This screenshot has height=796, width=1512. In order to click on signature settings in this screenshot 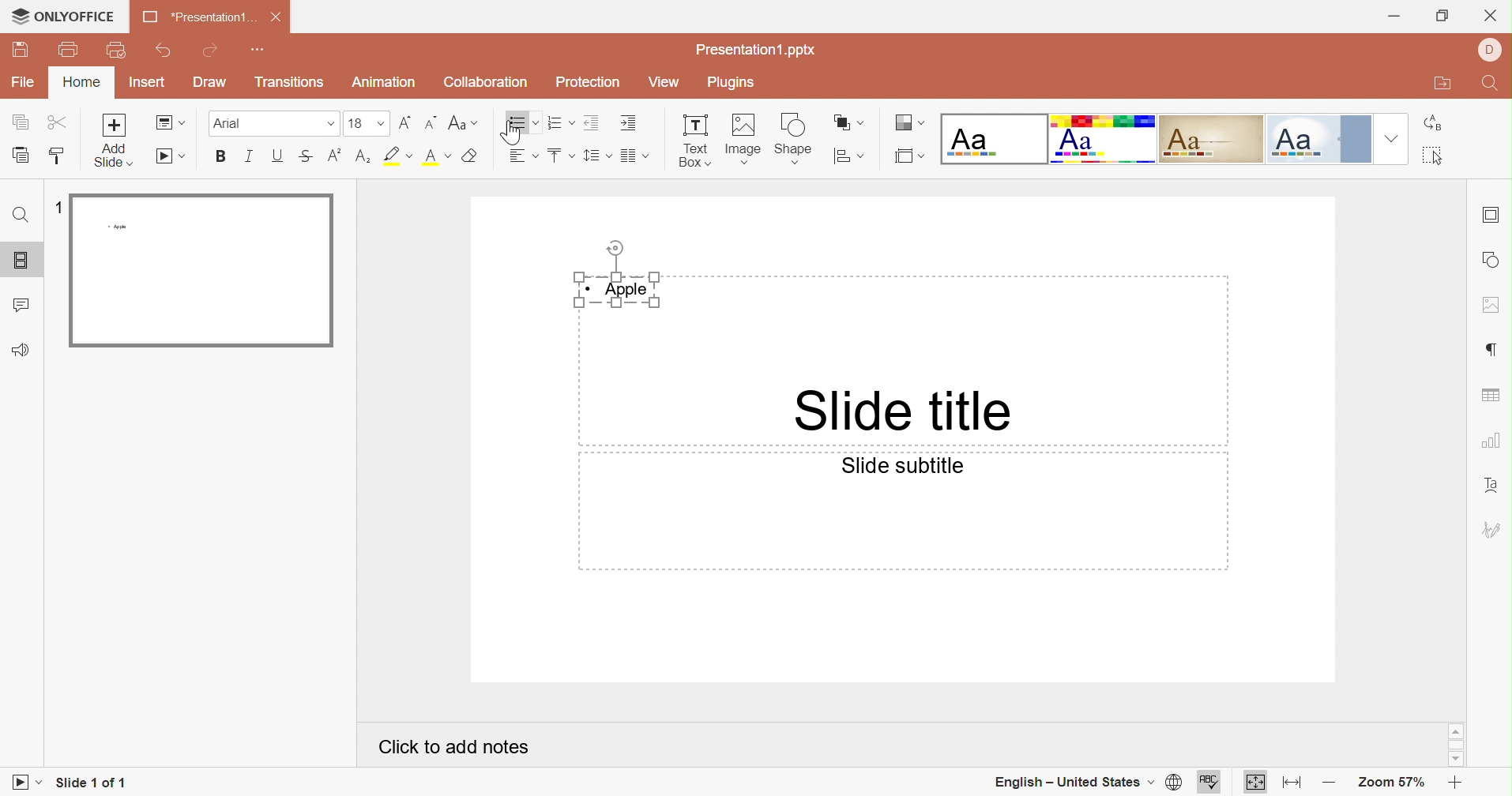, I will do `click(1494, 531)`.